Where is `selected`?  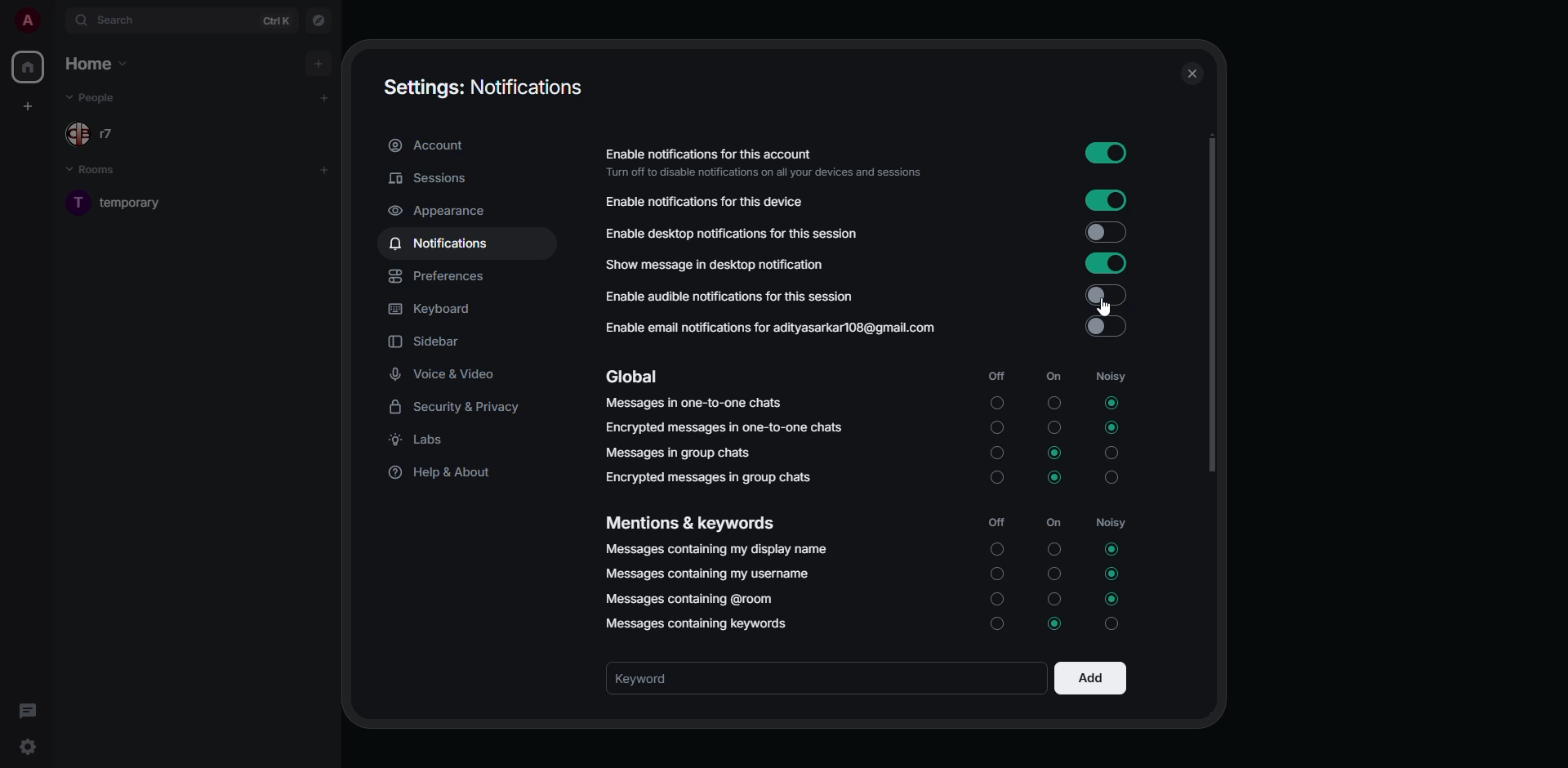 selected is located at coordinates (1110, 427).